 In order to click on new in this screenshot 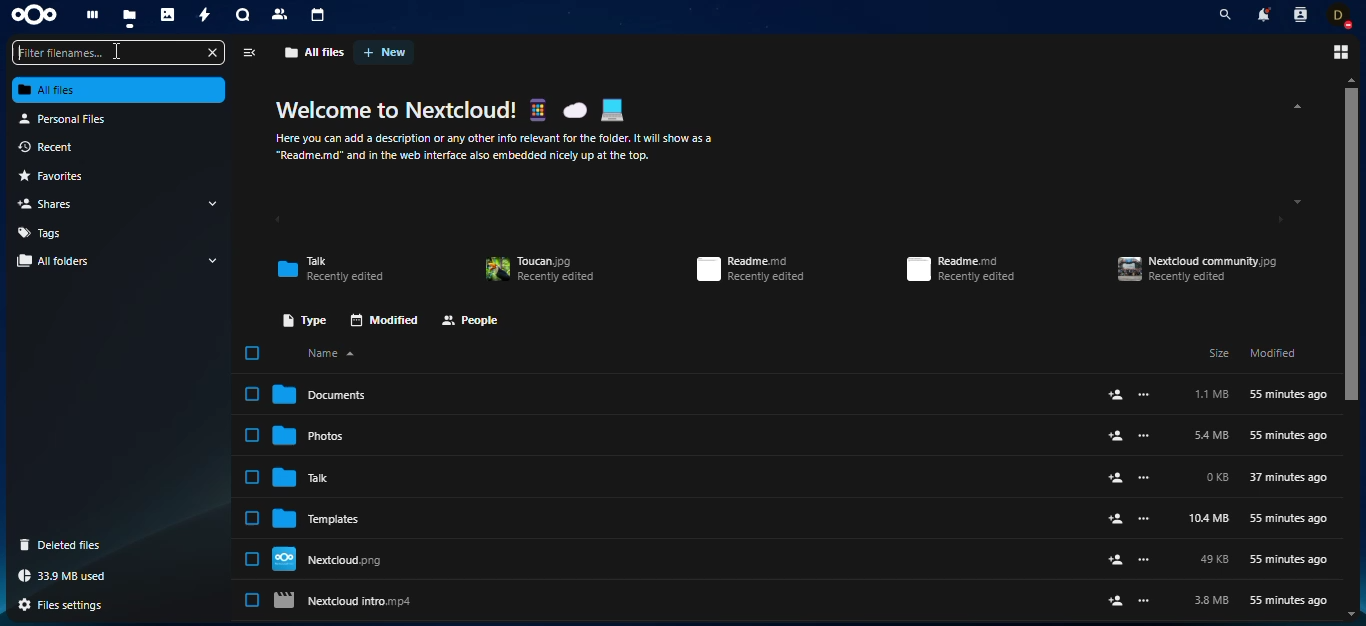, I will do `click(385, 52)`.